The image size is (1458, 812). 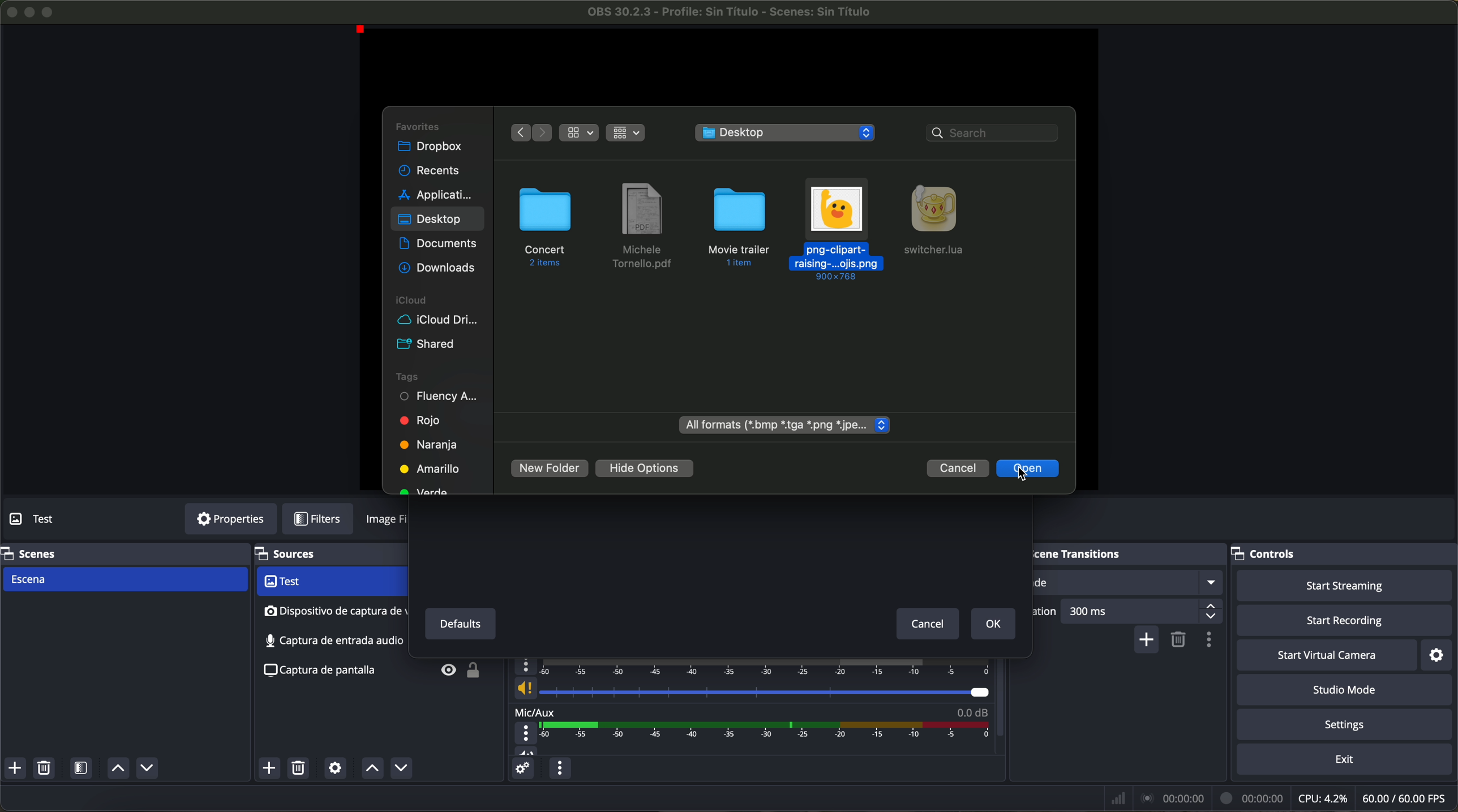 What do you see at coordinates (418, 125) in the screenshot?
I see `favorites` at bounding box center [418, 125].